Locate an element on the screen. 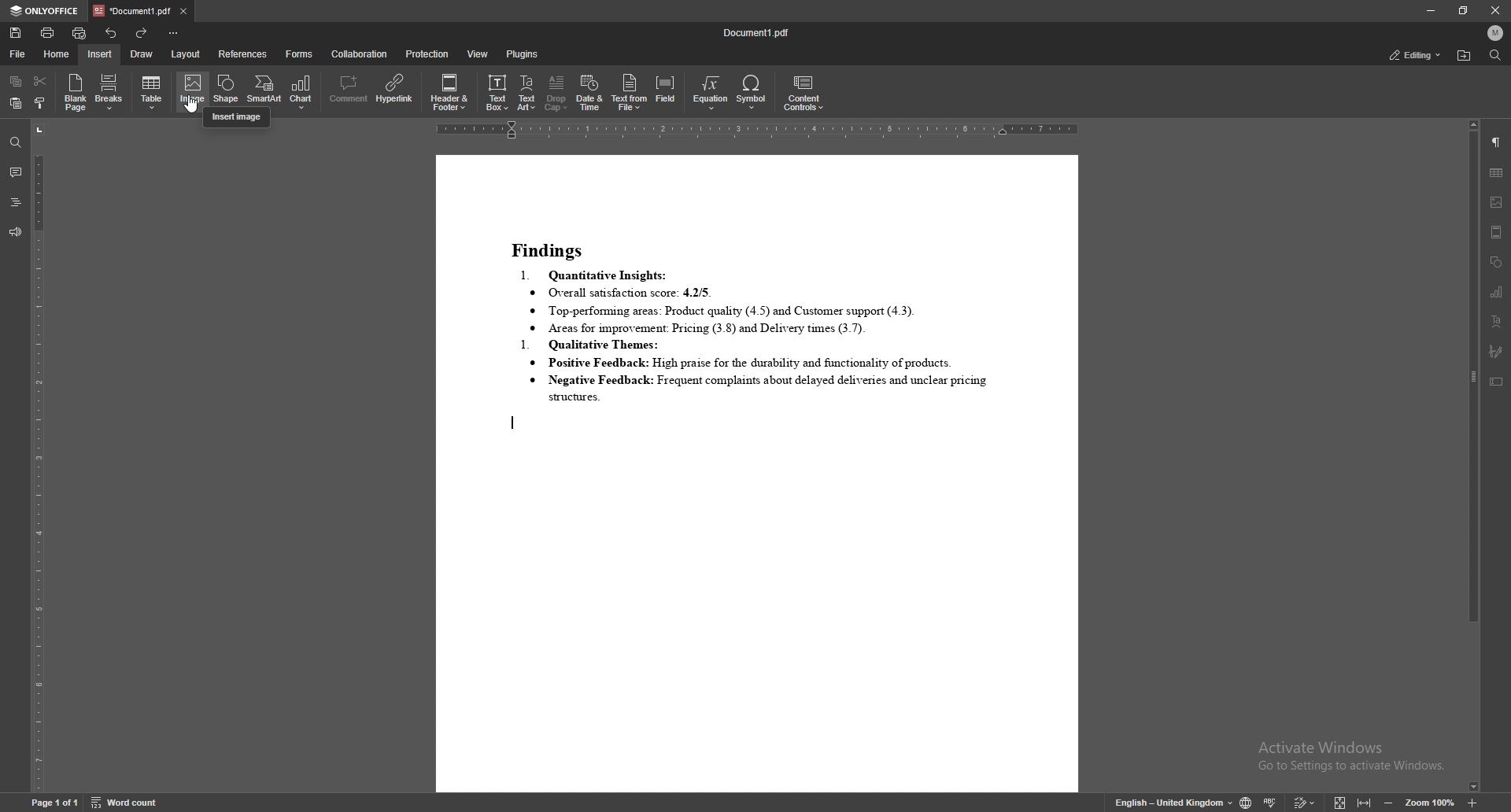  forms is located at coordinates (301, 54).